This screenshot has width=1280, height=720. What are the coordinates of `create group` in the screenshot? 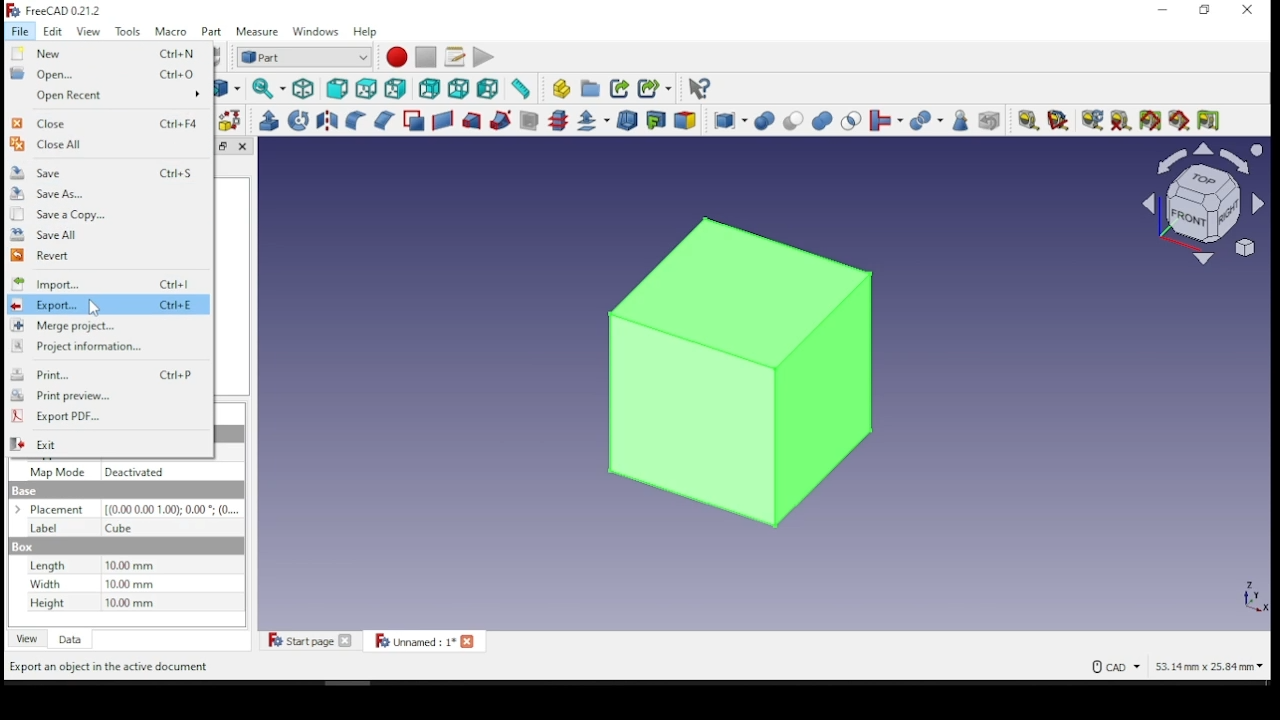 It's located at (588, 88).